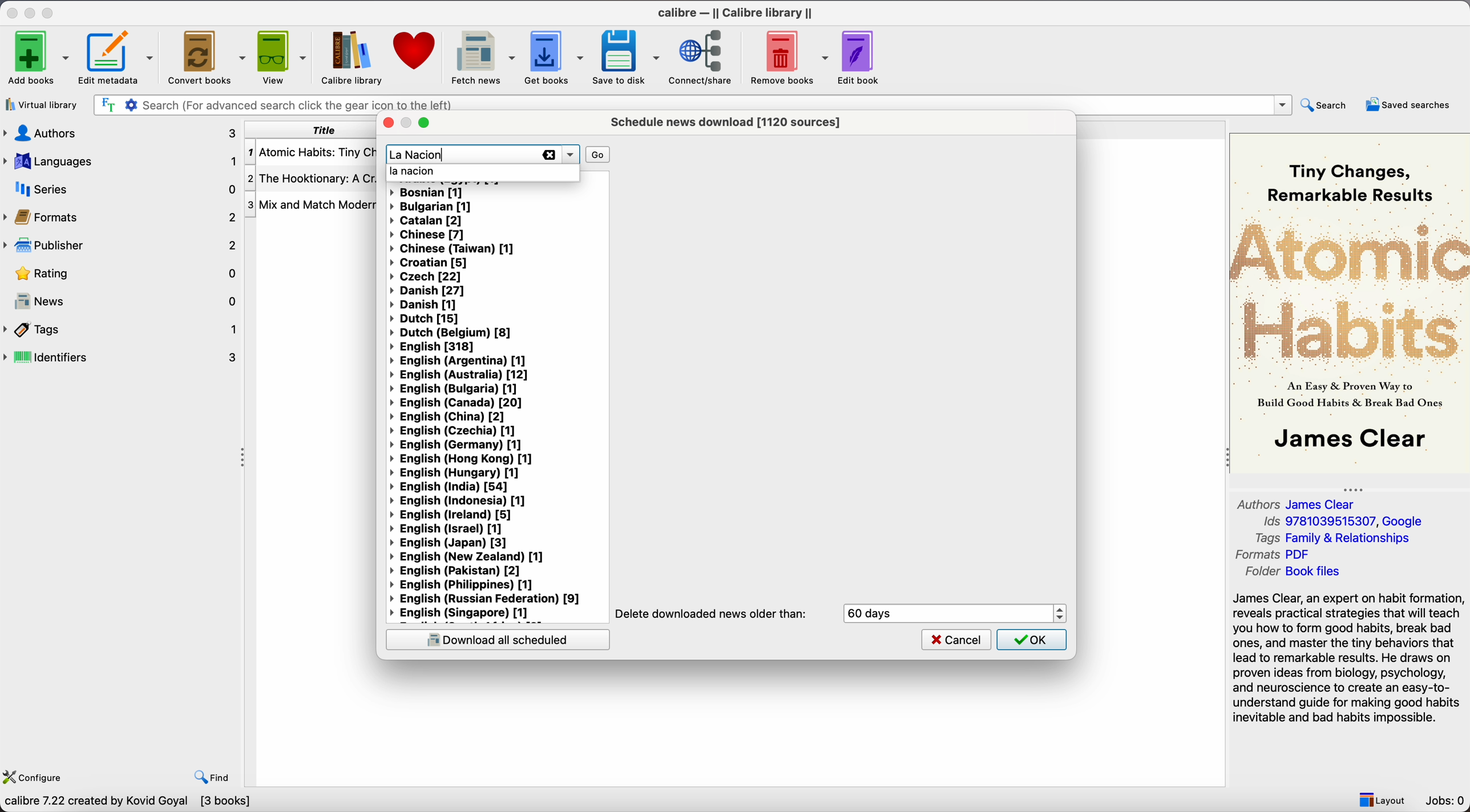  Describe the element at coordinates (119, 216) in the screenshot. I see `formats` at that location.